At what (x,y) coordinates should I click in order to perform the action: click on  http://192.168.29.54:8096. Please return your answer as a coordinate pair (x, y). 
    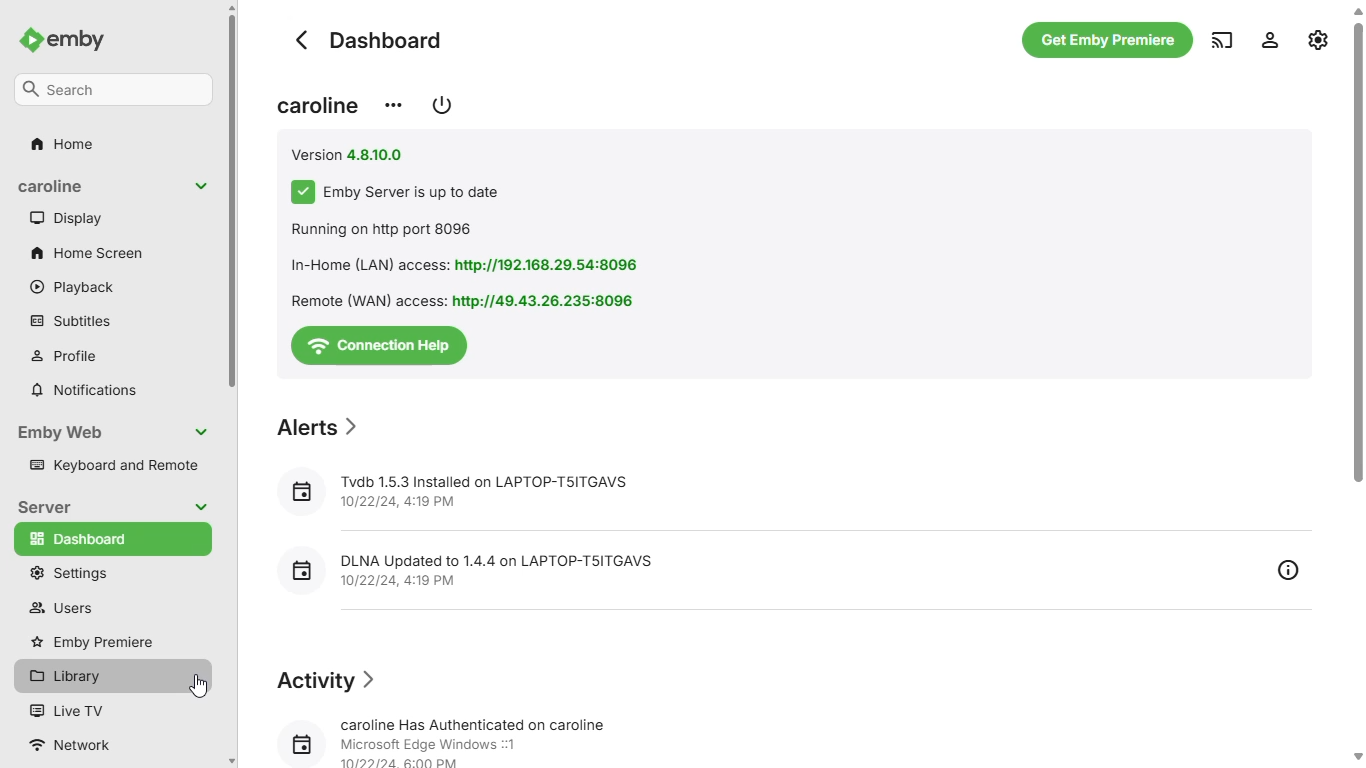
    Looking at the image, I should click on (549, 266).